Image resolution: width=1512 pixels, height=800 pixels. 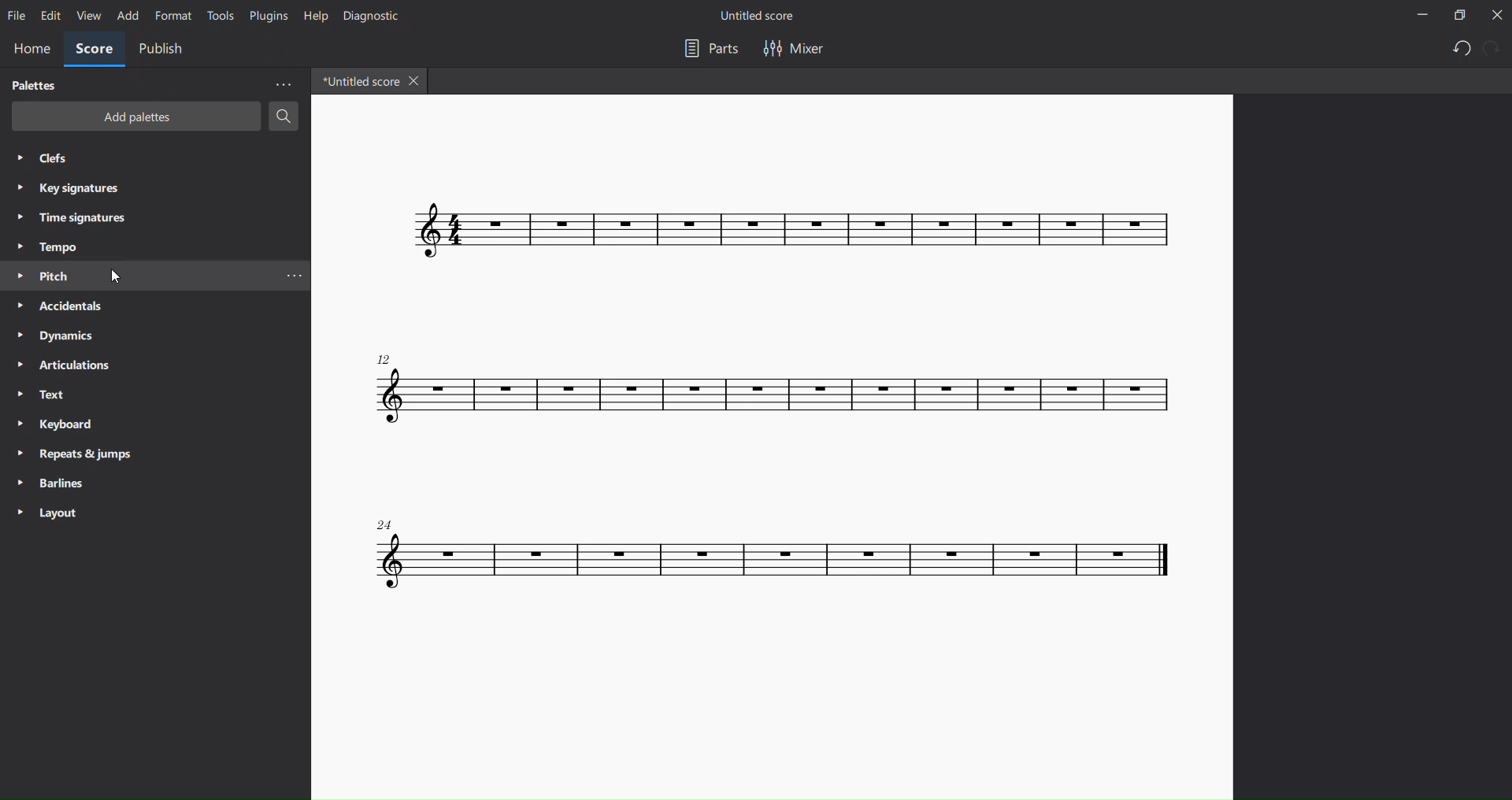 I want to click on time signatures, so click(x=70, y=219).